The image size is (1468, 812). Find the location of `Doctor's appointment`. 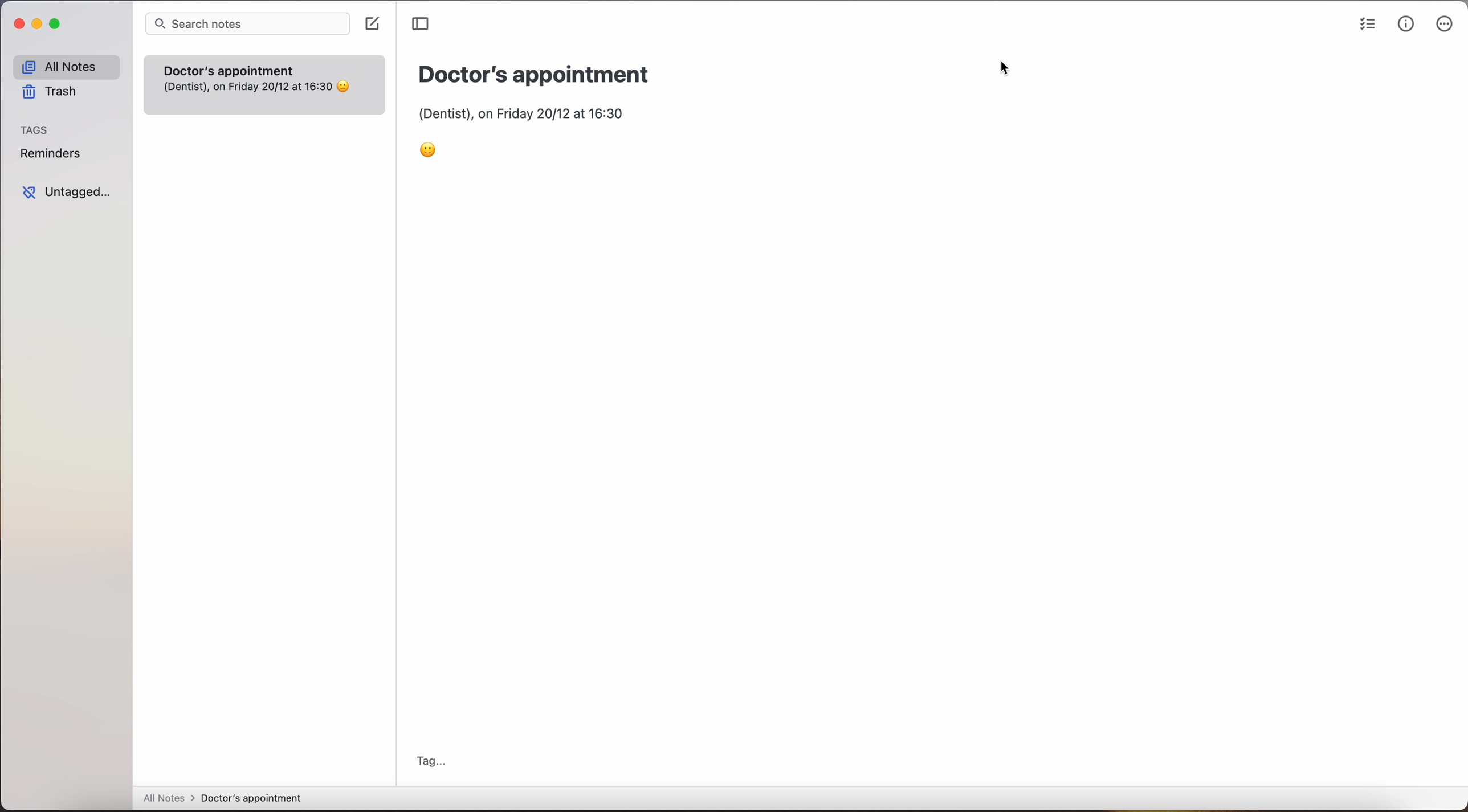

Doctor's appointment is located at coordinates (535, 75).